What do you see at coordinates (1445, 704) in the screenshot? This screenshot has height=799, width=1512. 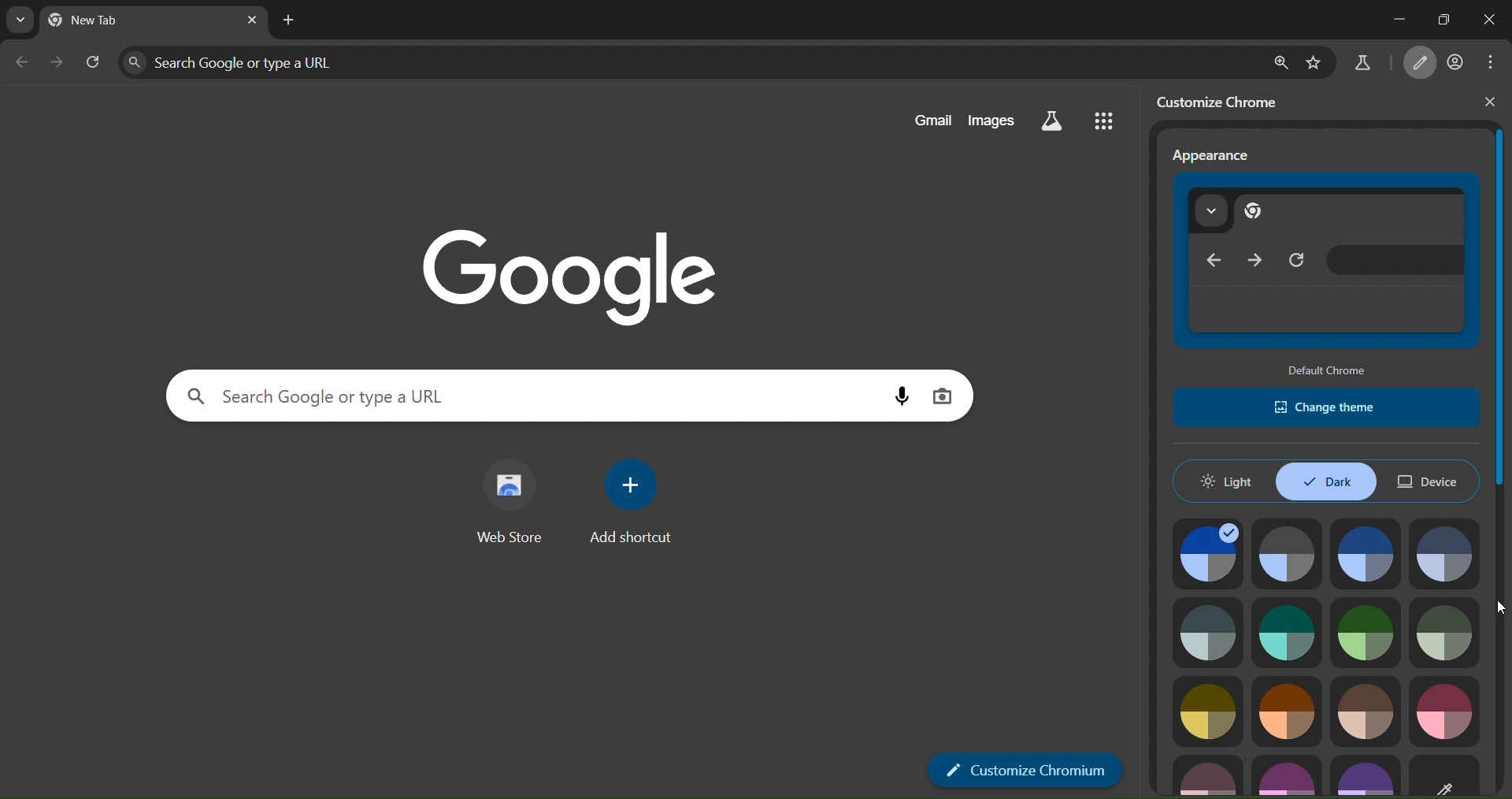 I see `theme` at bounding box center [1445, 704].